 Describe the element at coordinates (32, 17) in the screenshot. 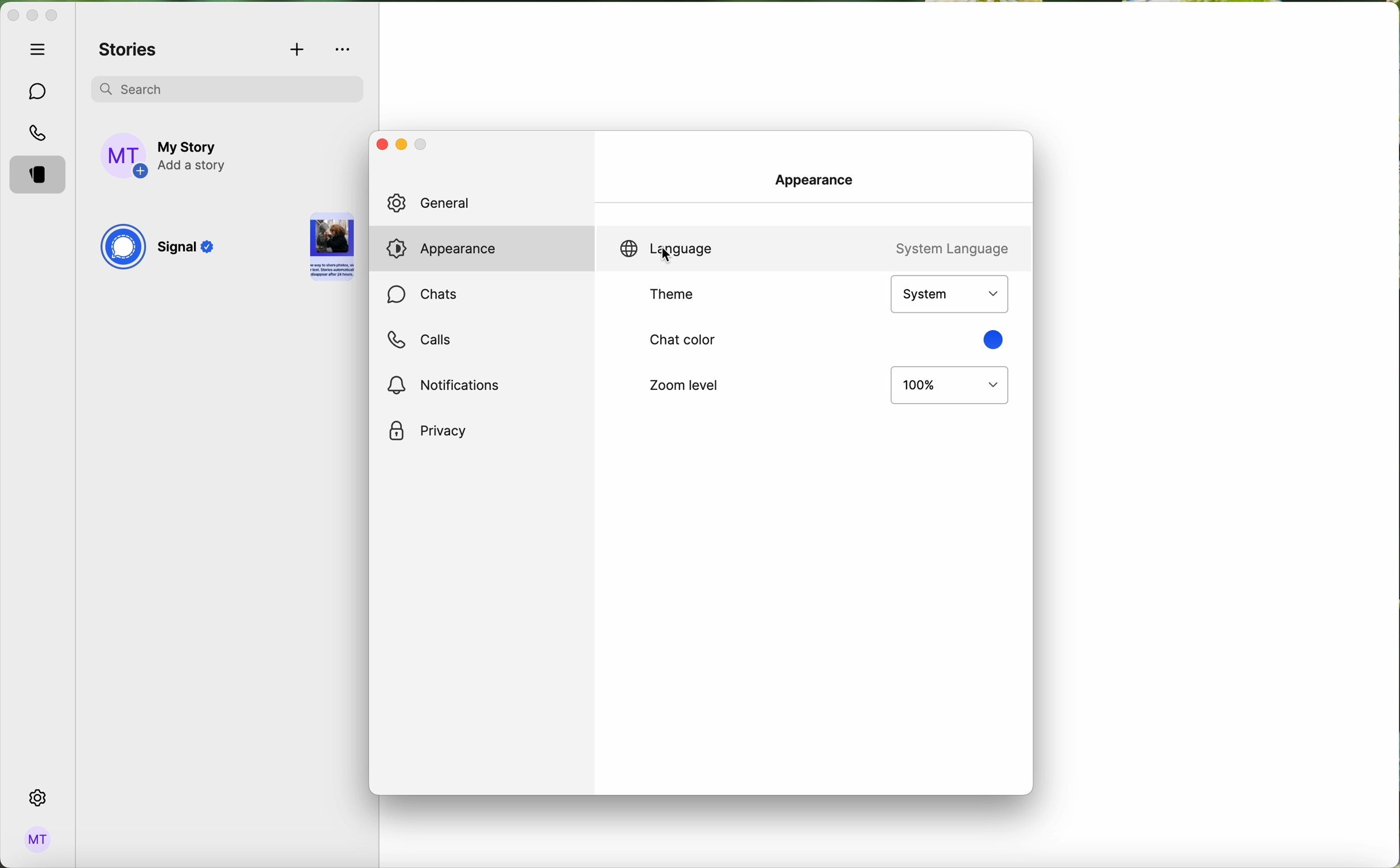

I see `minimize` at that location.